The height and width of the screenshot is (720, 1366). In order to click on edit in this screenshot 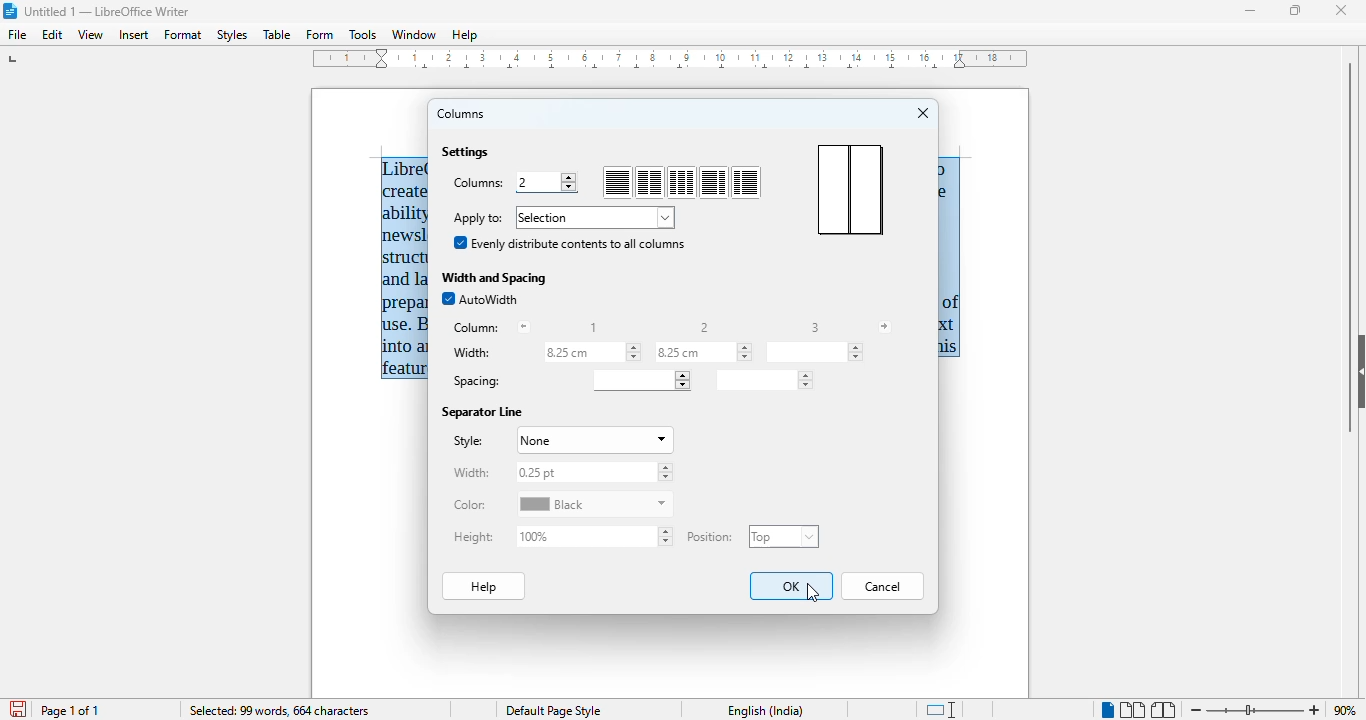, I will do `click(54, 35)`.